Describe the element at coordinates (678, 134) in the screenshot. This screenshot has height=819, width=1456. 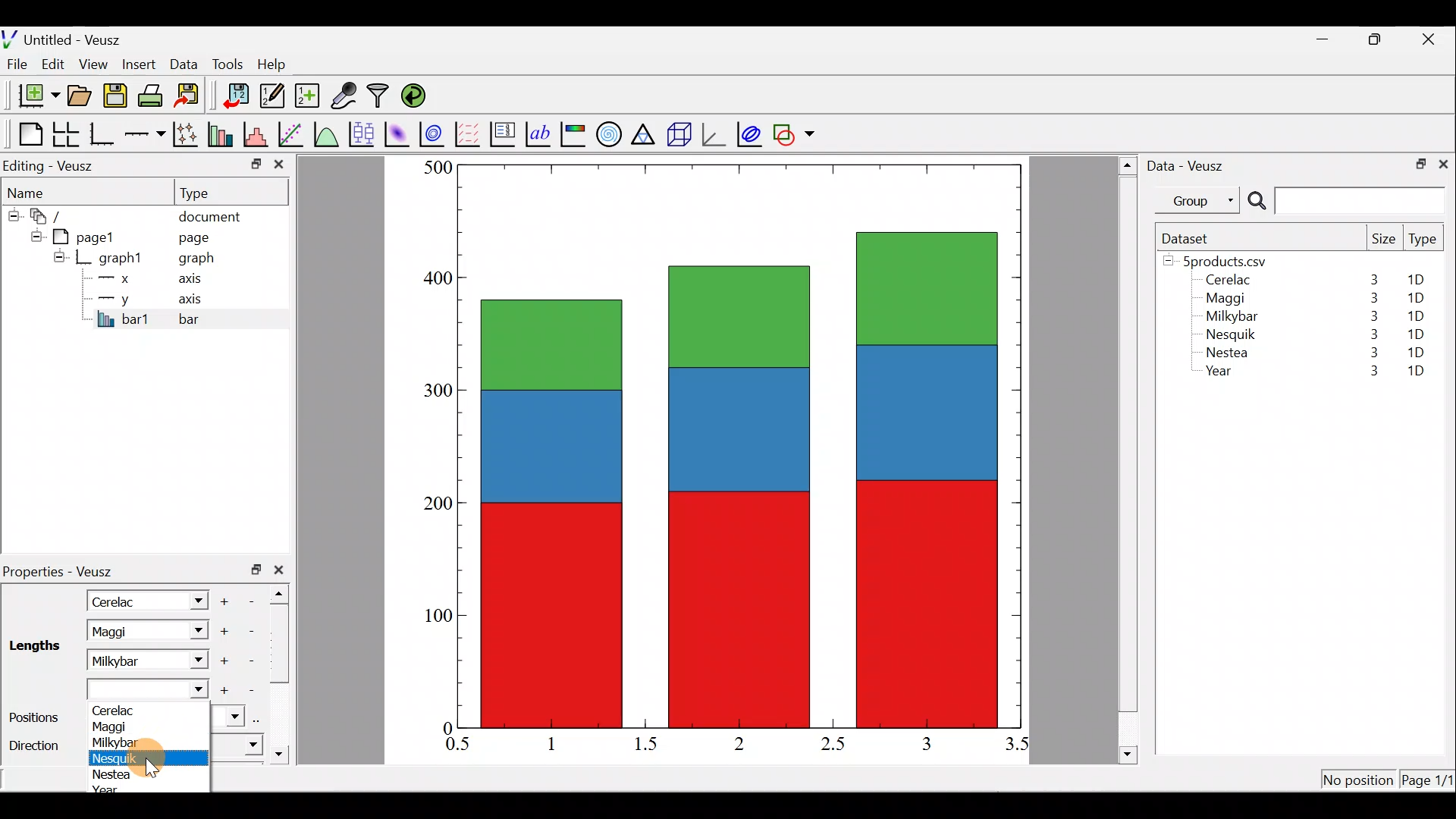
I see `3d scene` at that location.